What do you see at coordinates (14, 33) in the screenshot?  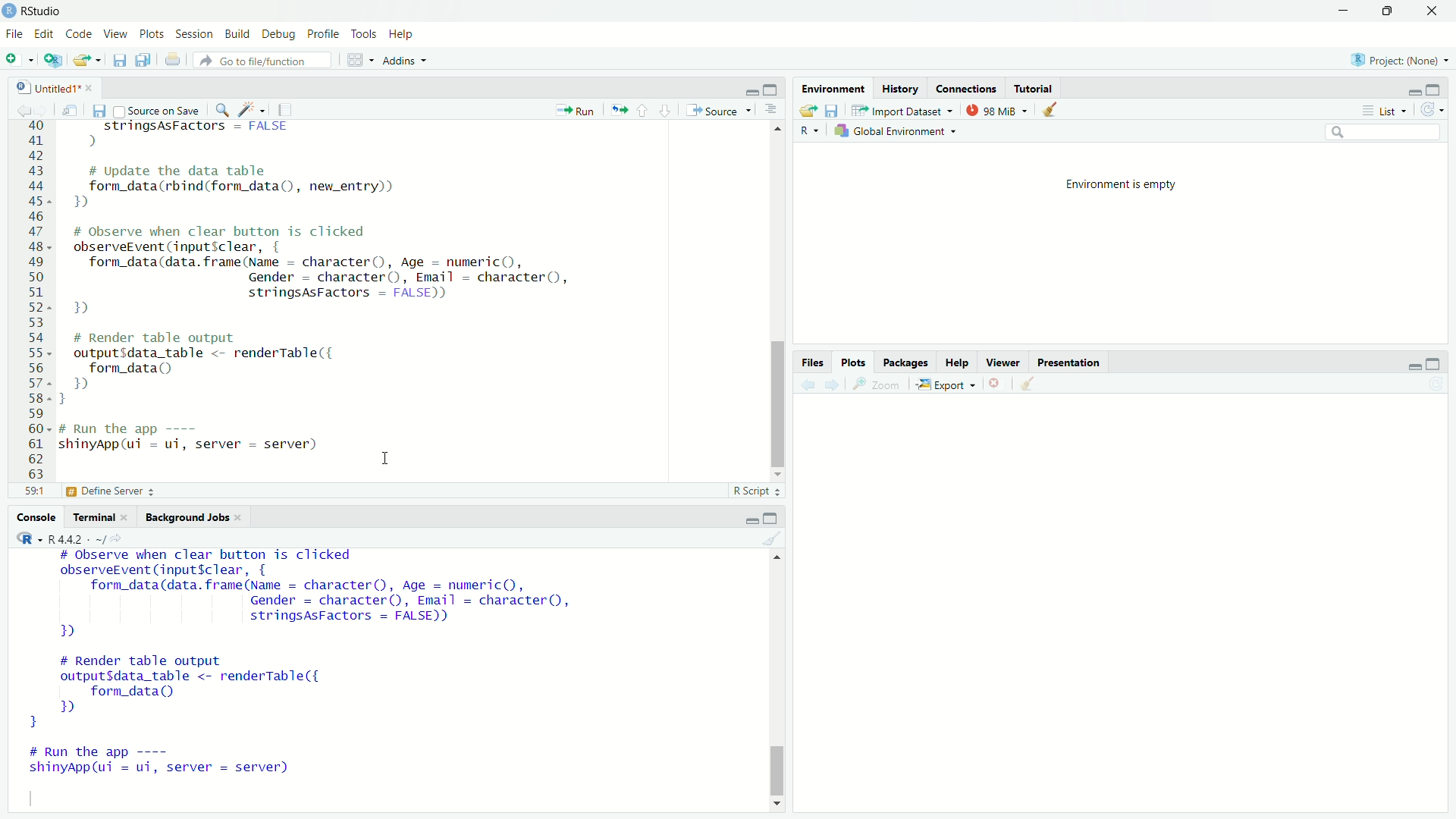 I see `File` at bounding box center [14, 33].